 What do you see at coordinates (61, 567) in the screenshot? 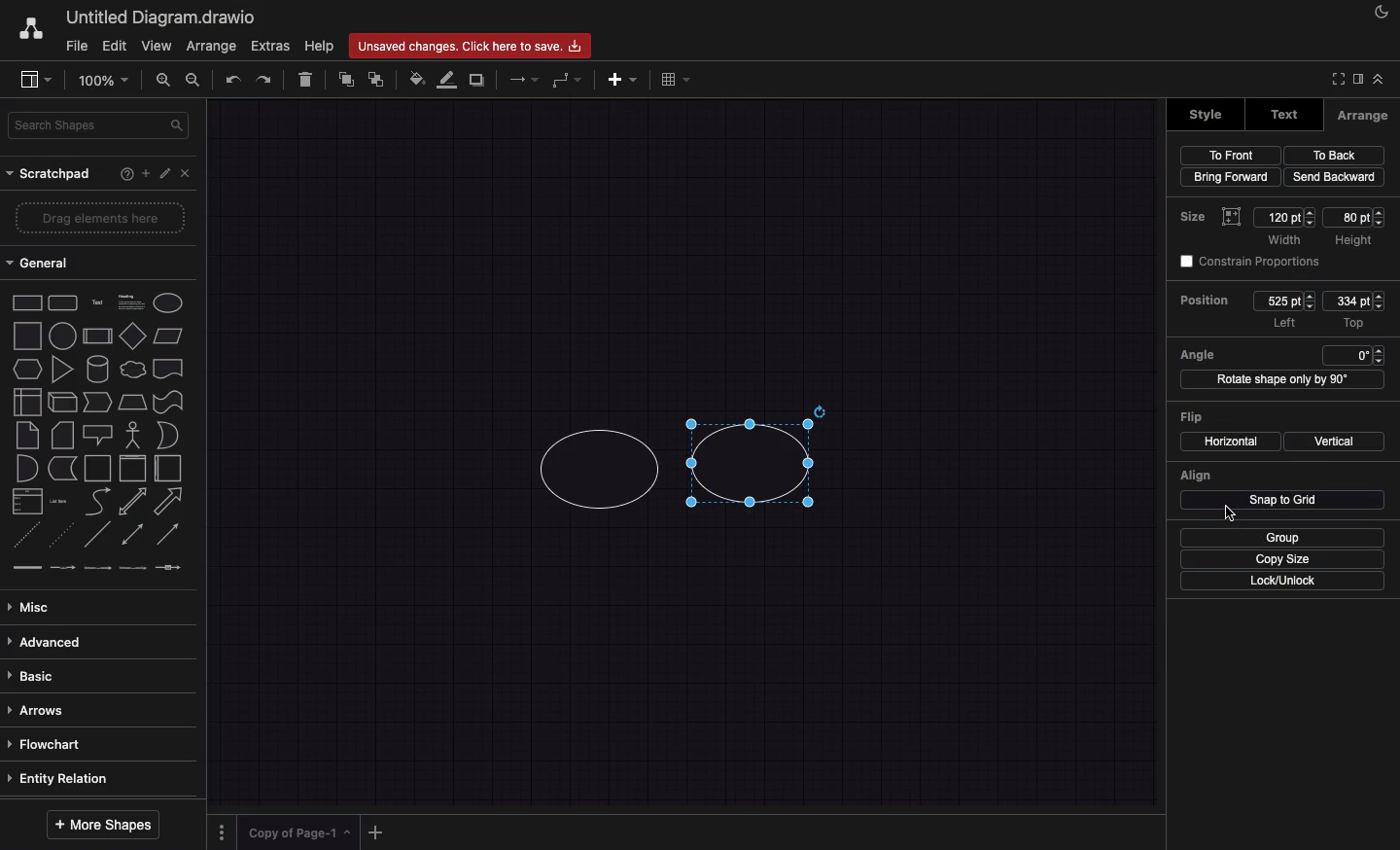
I see `connector with label` at bounding box center [61, 567].